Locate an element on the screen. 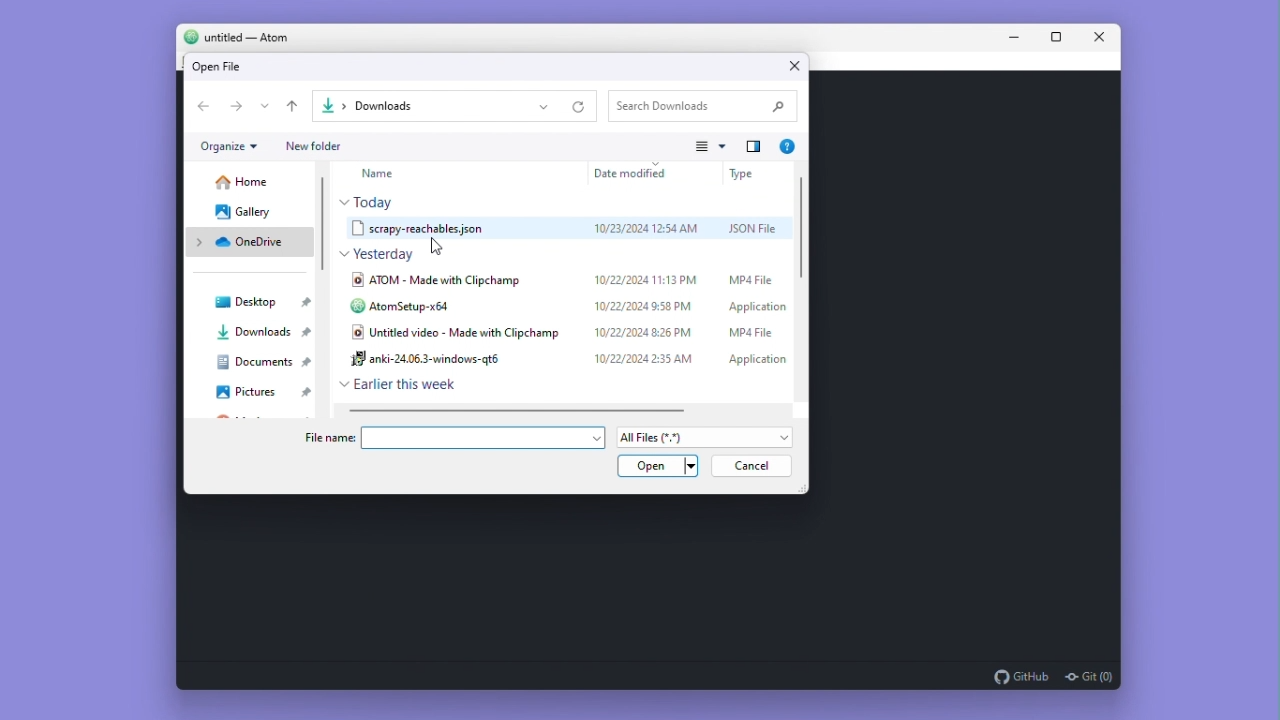  scrapy.reachables.json 10/23/2024 12:54AM JSON File is located at coordinates (566, 228).